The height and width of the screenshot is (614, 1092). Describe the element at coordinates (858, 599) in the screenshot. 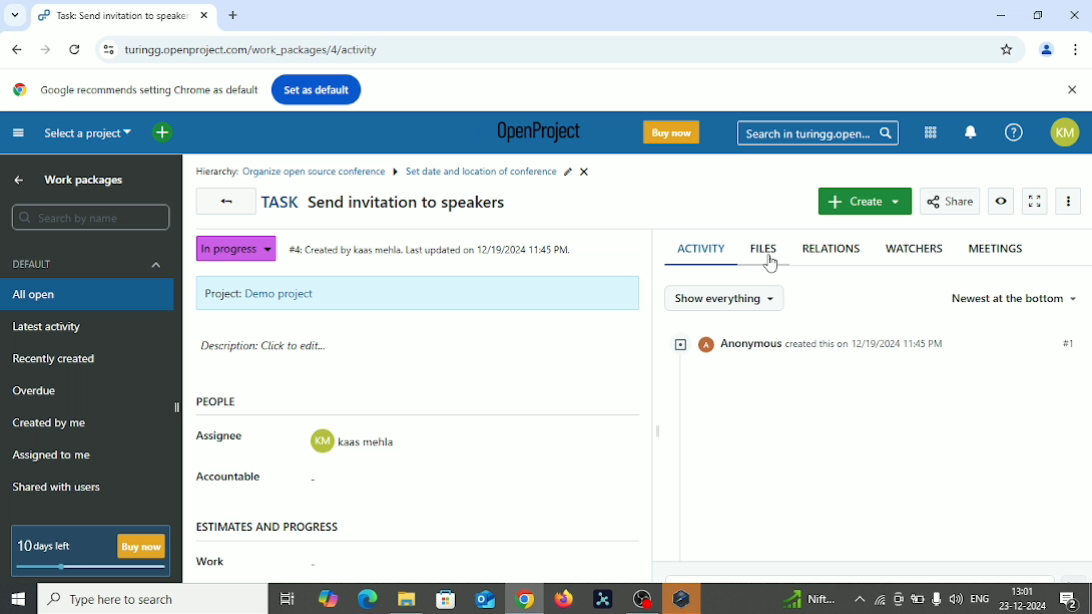

I see `More` at that location.